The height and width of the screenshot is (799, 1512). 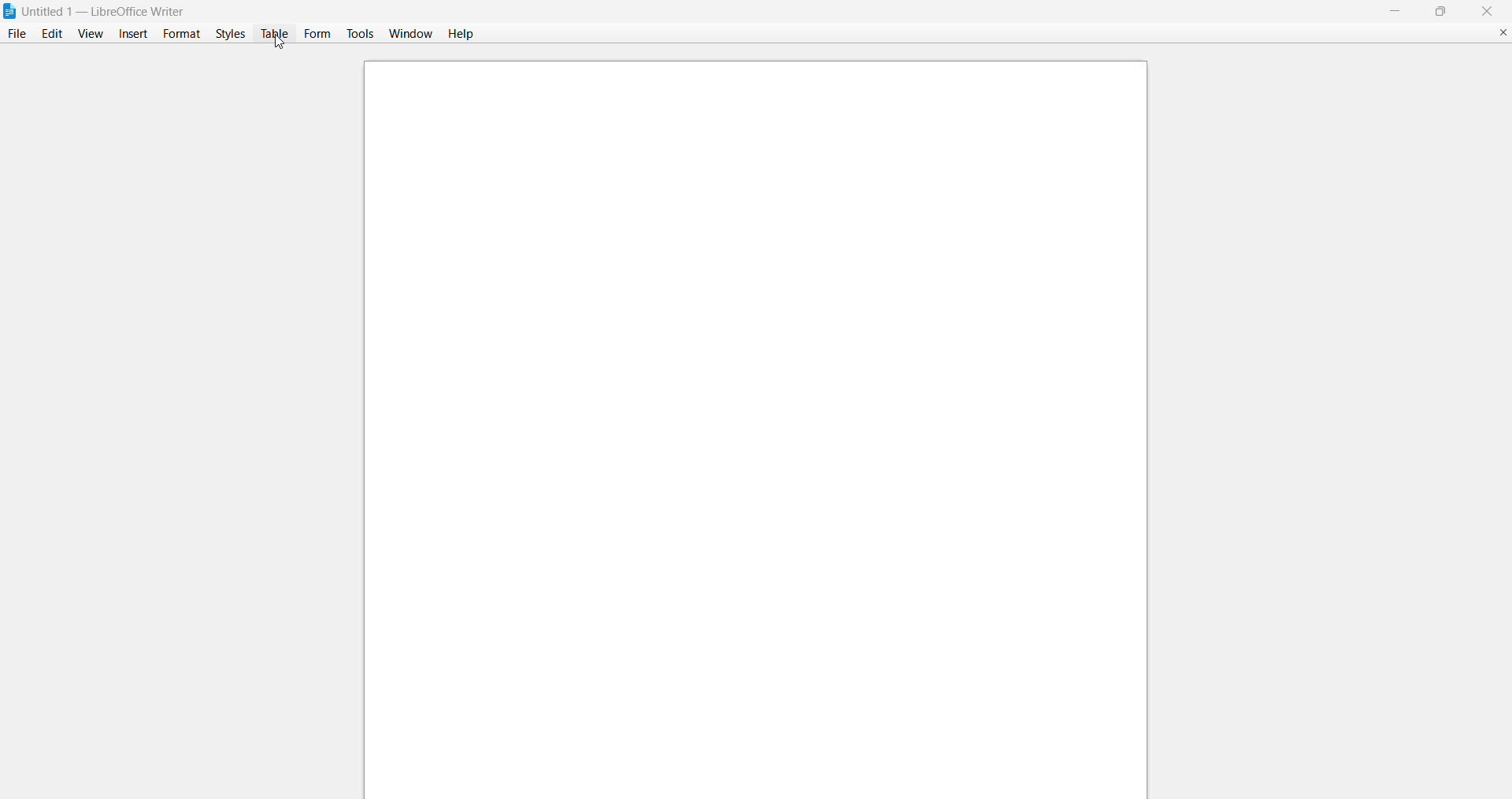 What do you see at coordinates (1391, 10) in the screenshot?
I see `minimize` at bounding box center [1391, 10].